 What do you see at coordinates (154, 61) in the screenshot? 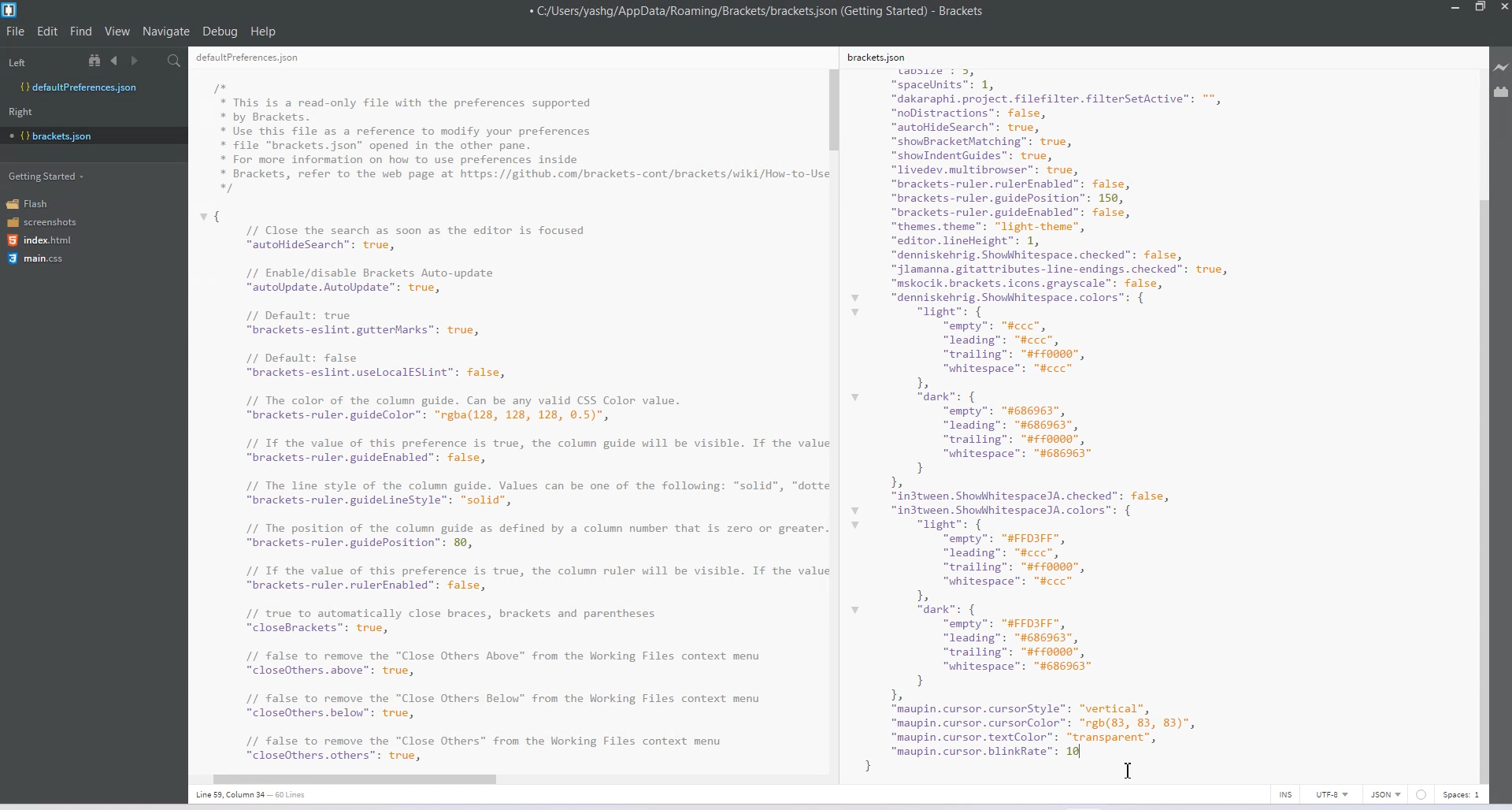
I see `Split editor vertically and Horizontally` at bounding box center [154, 61].